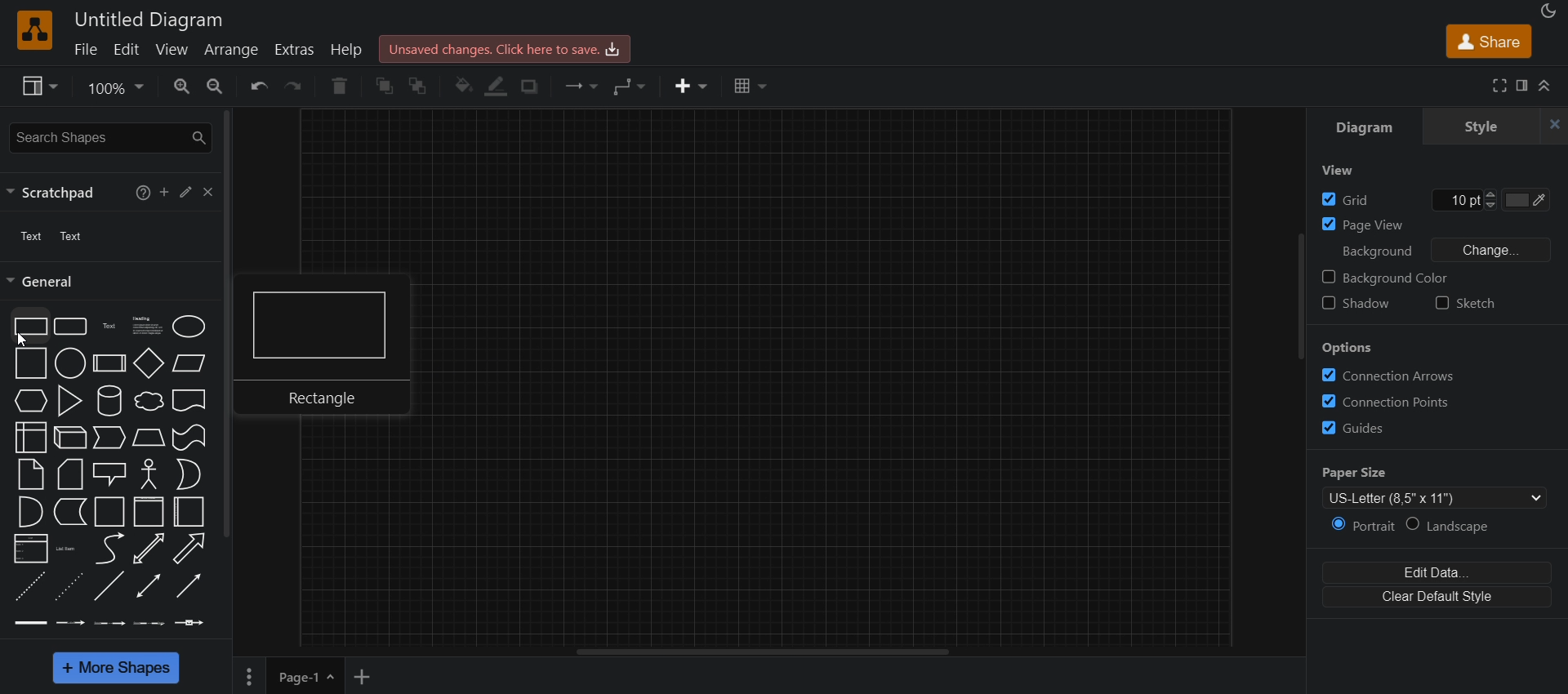  What do you see at coordinates (111, 363) in the screenshot?
I see `process` at bounding box center [111, 363].